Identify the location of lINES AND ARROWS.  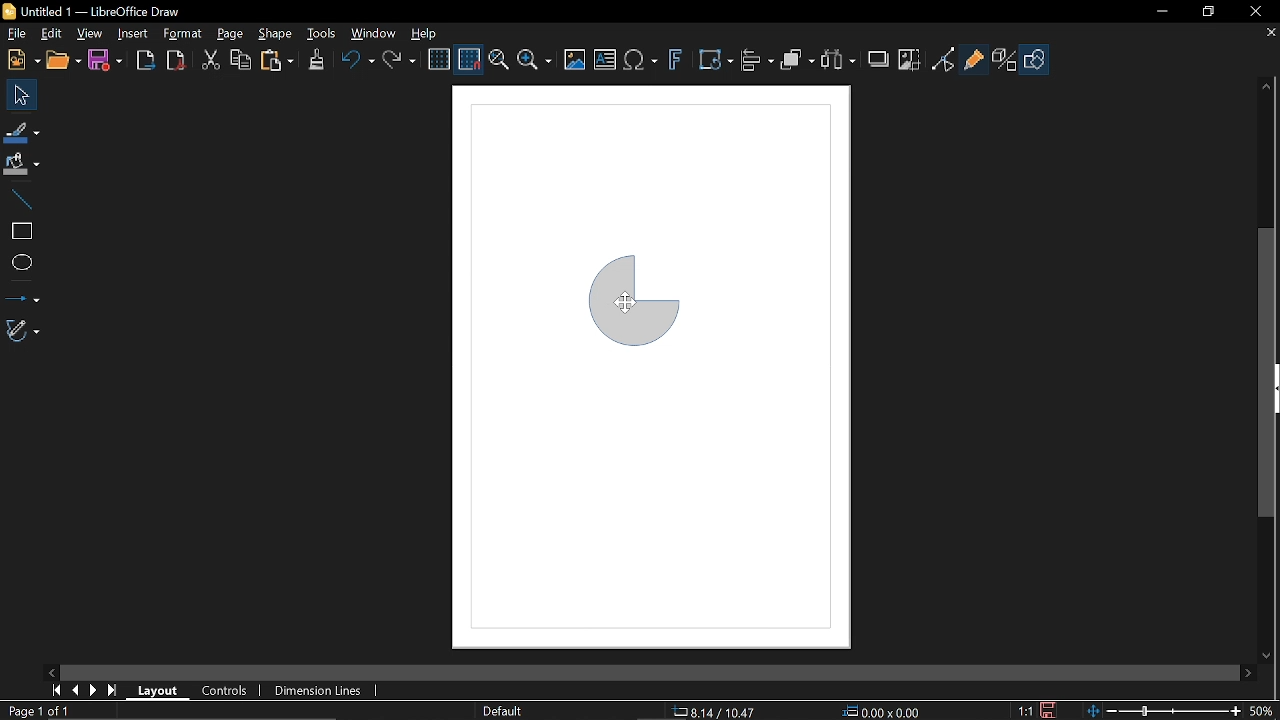
(22, 294).